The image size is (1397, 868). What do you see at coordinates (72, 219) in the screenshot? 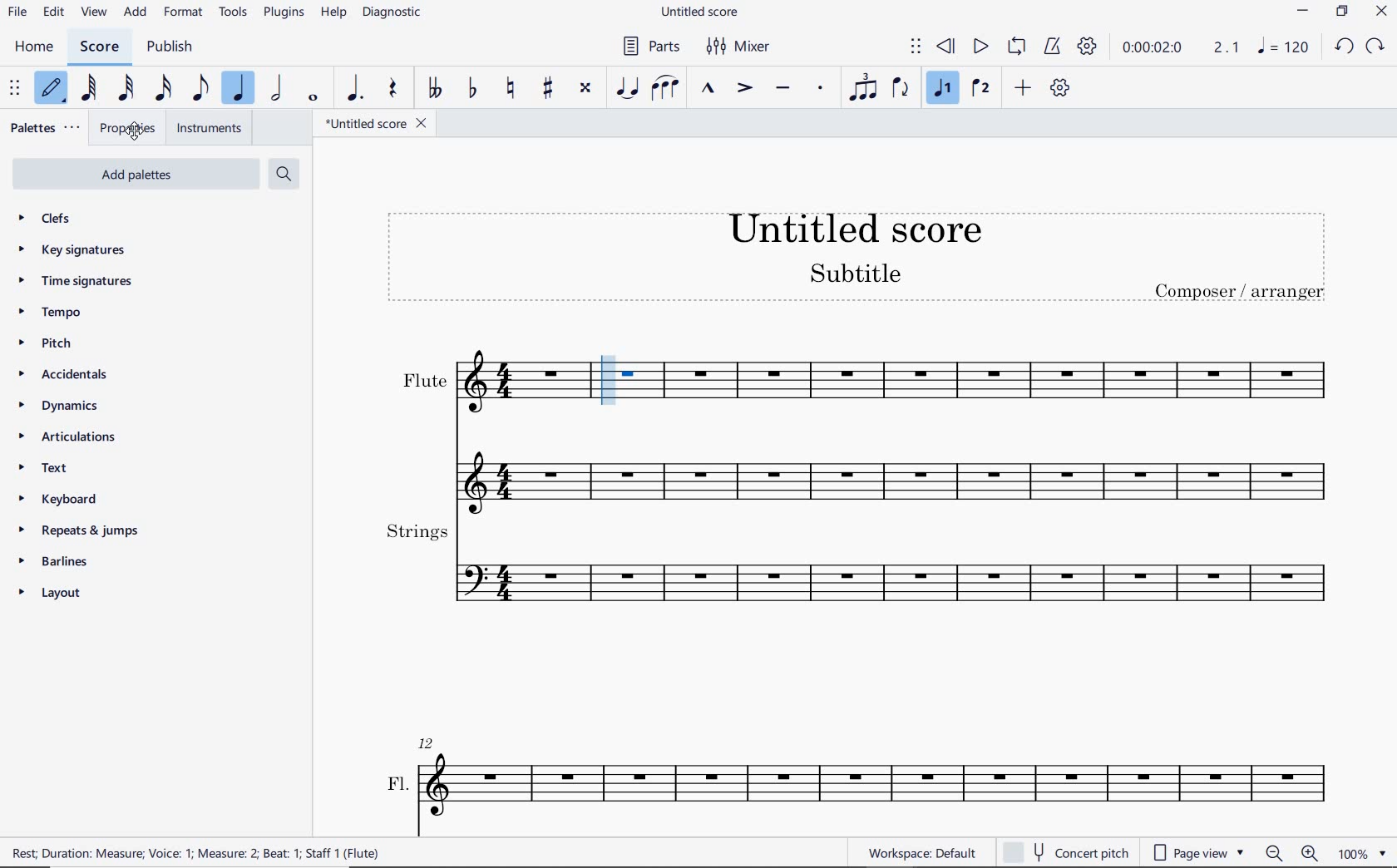
I see `clefs` at bounding box center [72, 219].